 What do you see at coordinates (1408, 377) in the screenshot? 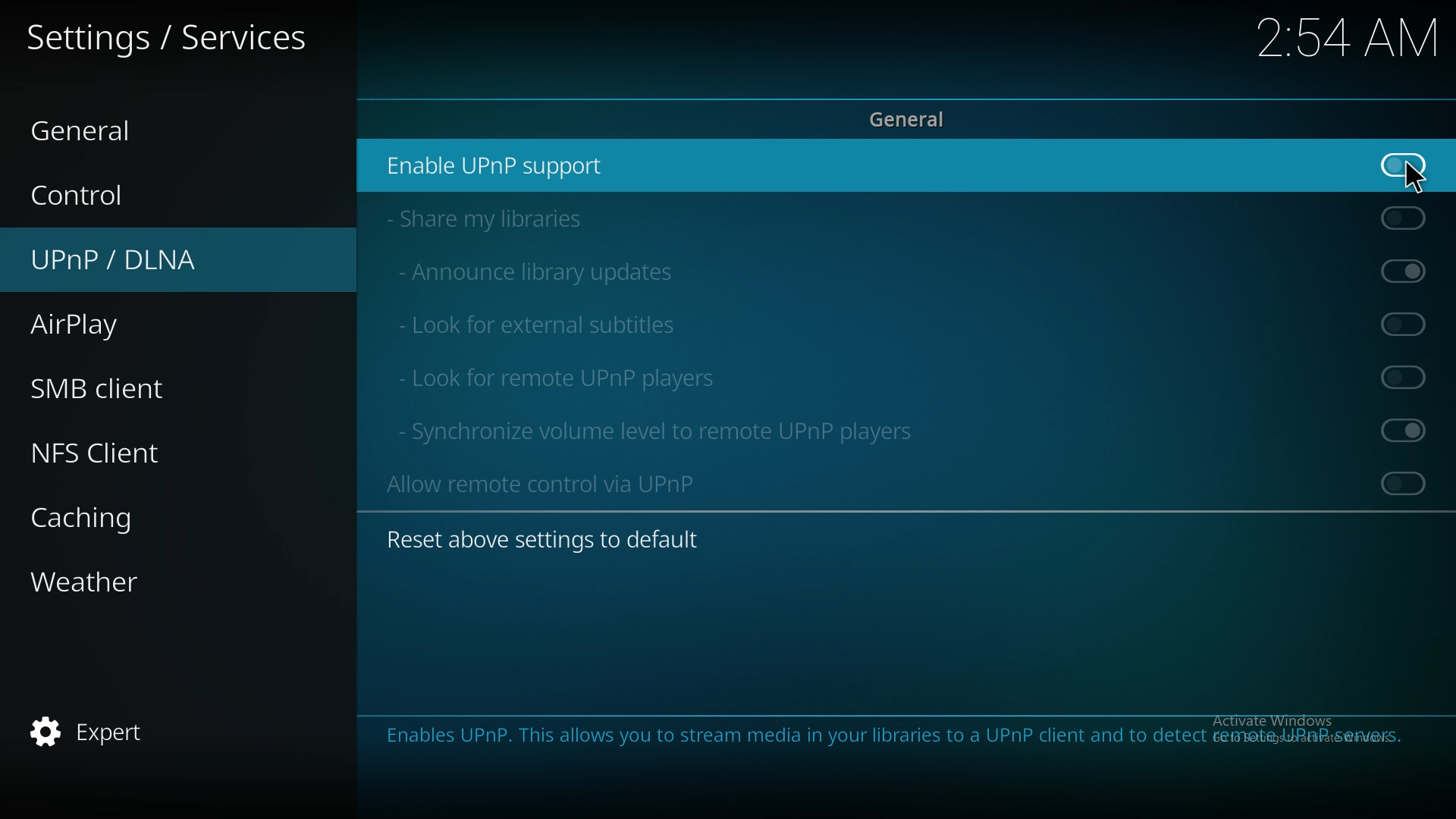
I see `off (Greyed out)` at bounding box center [1408, 377].